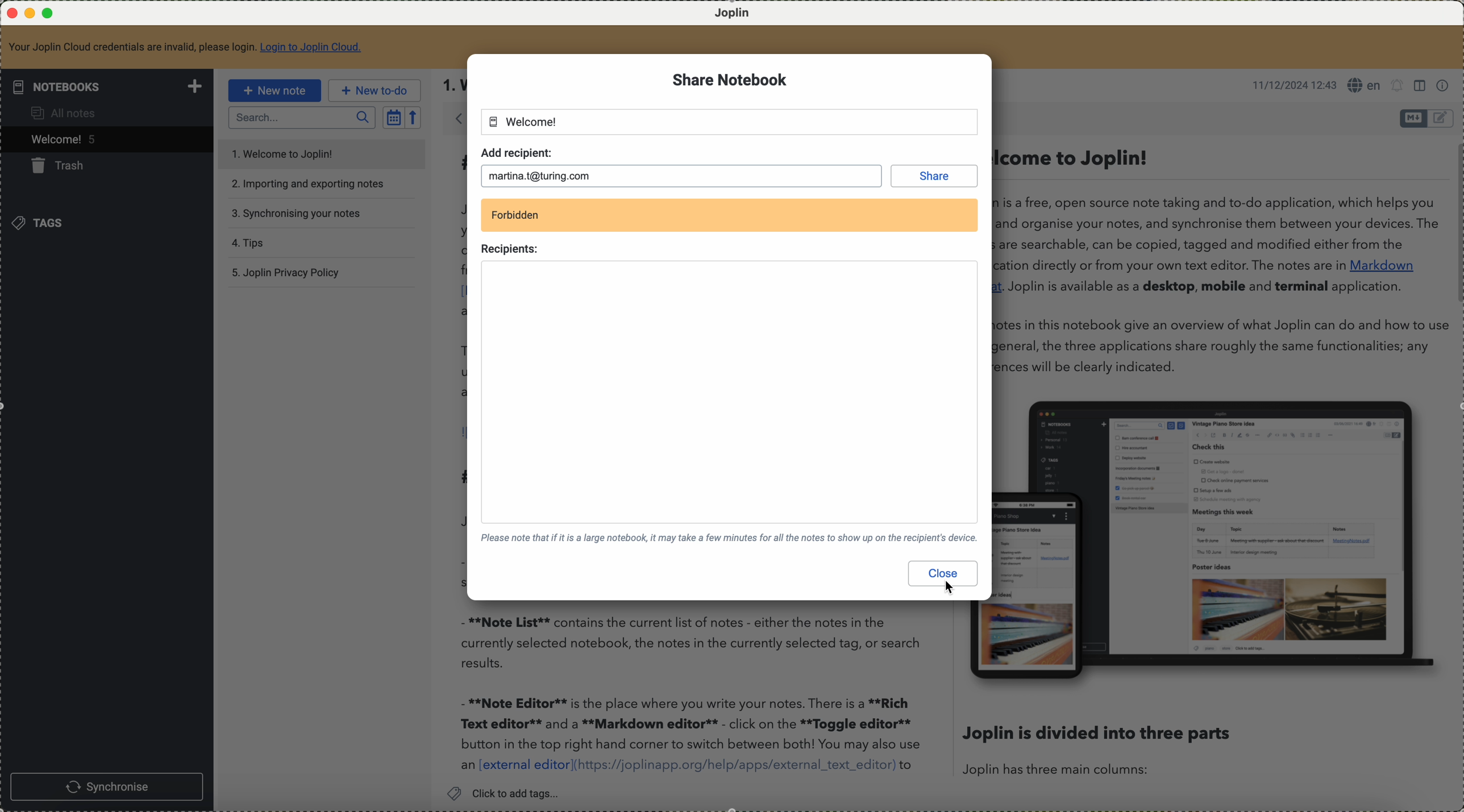 The image size is (1464, 812). What do you see at coordinates (1293, 84) in the screenshot?
I see `date and hour` at bounding box center [1293, 84].